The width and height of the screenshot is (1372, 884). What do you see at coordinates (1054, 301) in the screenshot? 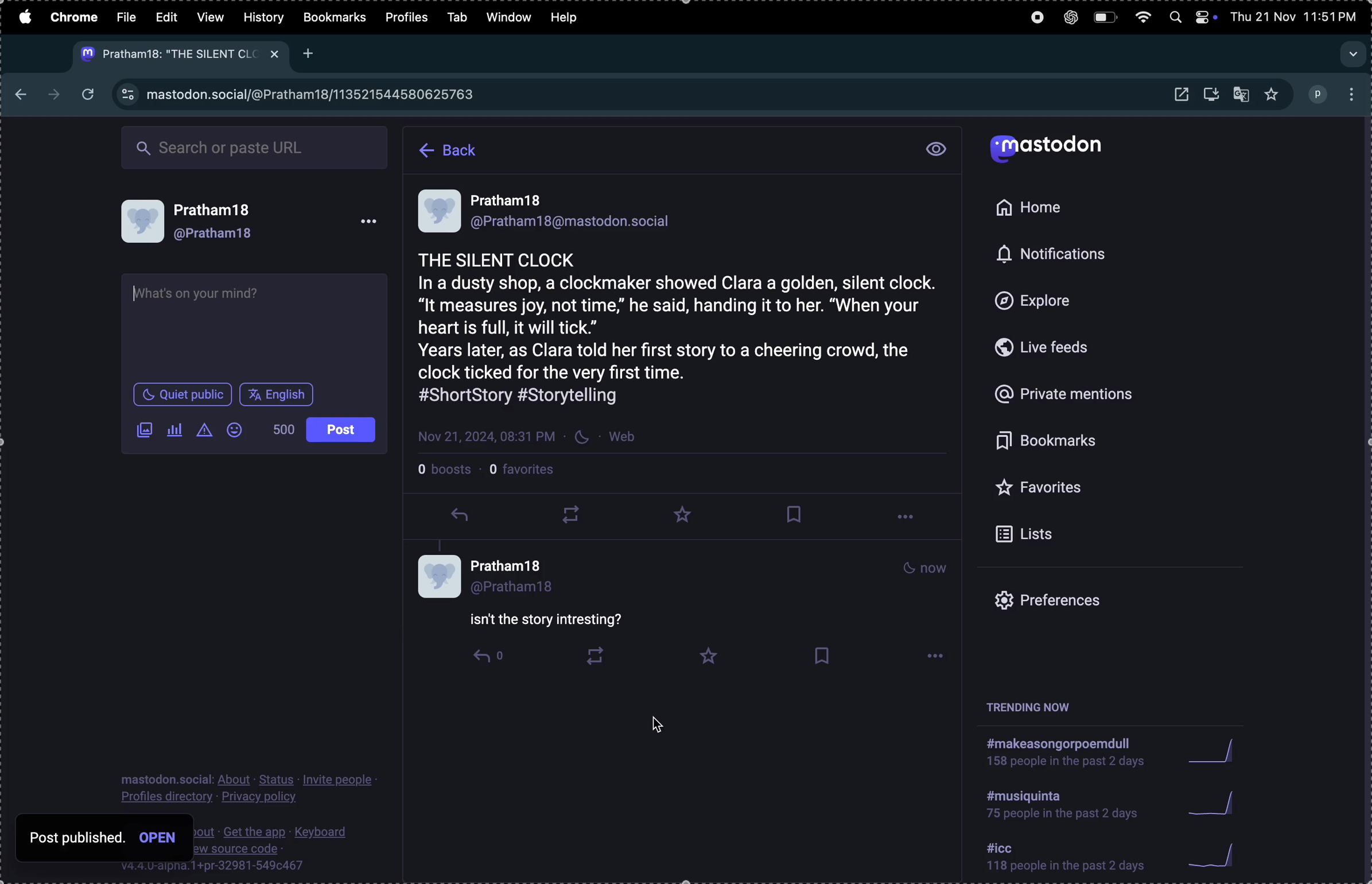
I see `explore` at bounding box center [1054, 301].